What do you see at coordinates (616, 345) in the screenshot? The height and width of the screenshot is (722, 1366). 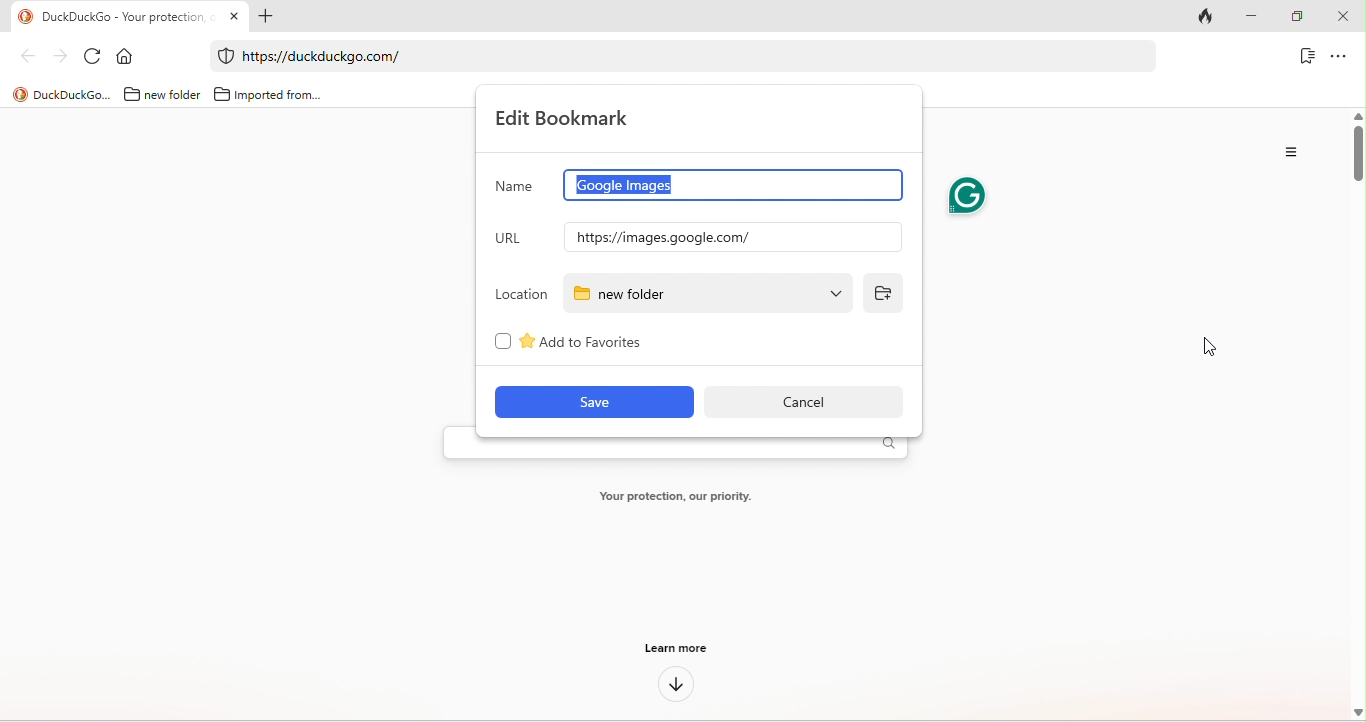 I see `add to favourites` at bounding box center [616, 345].